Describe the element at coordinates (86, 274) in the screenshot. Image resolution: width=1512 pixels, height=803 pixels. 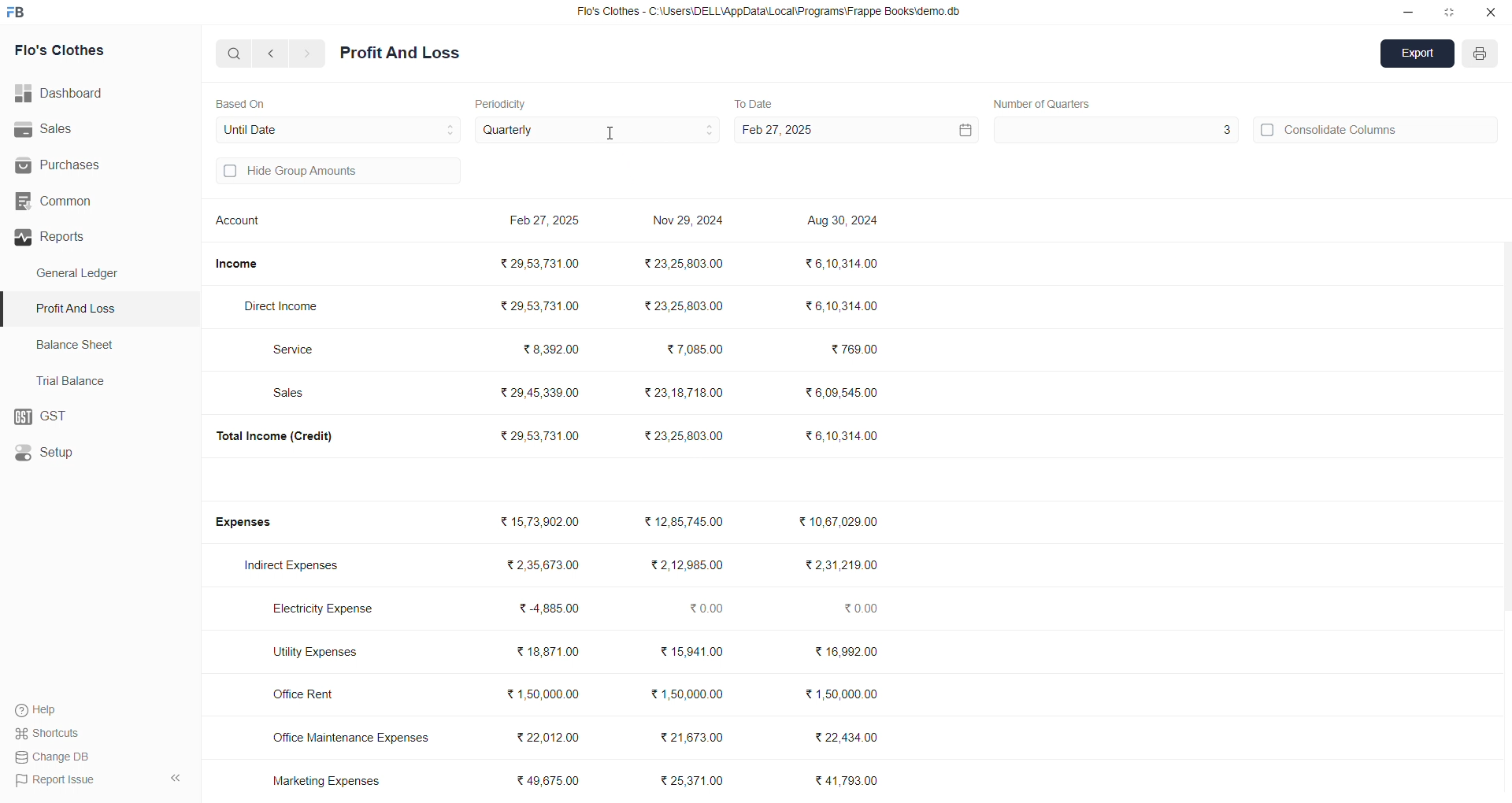
I see `General Ledger` at that location.